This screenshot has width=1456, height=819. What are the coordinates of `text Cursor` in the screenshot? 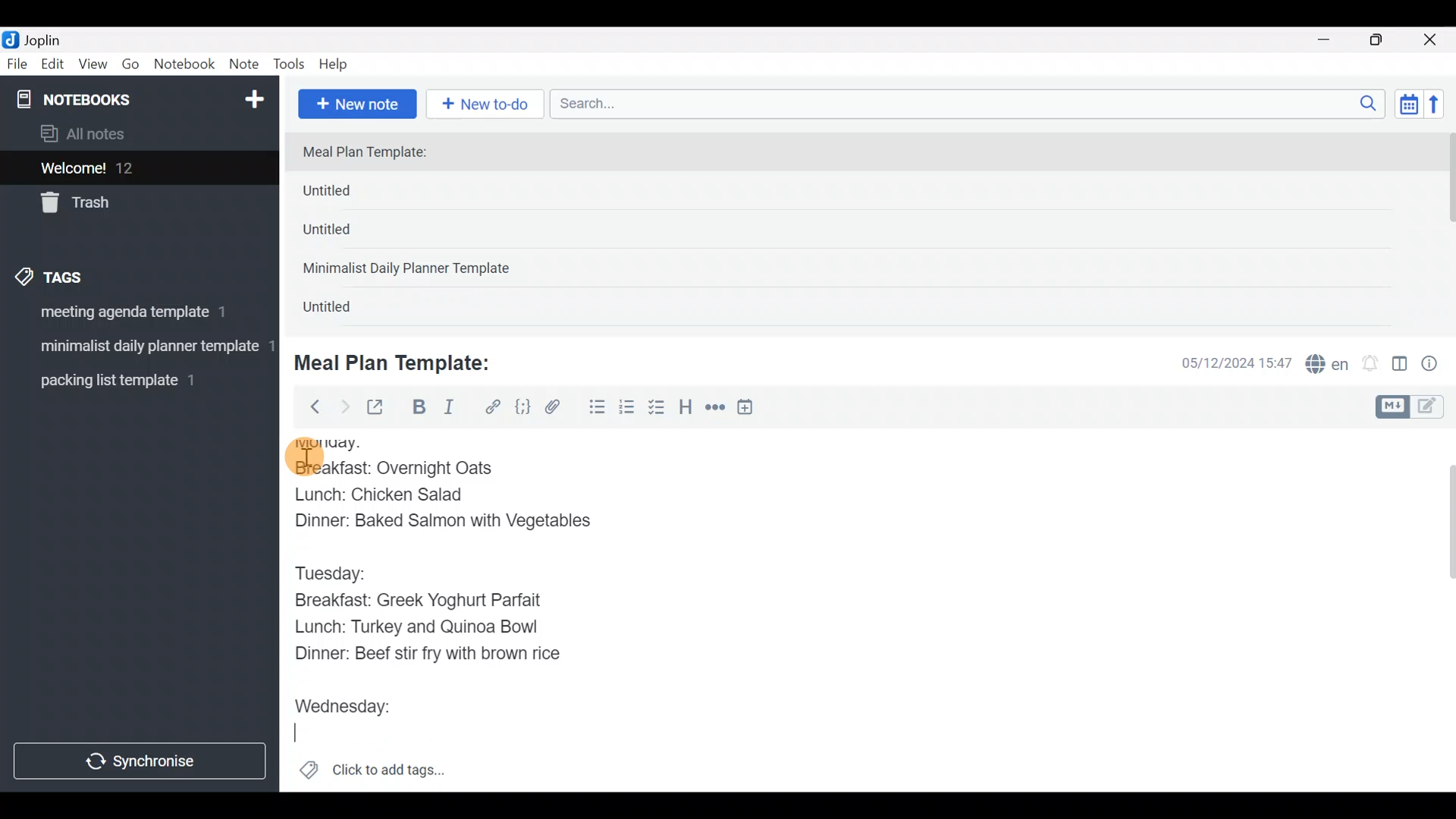 It's located at (304, 734).